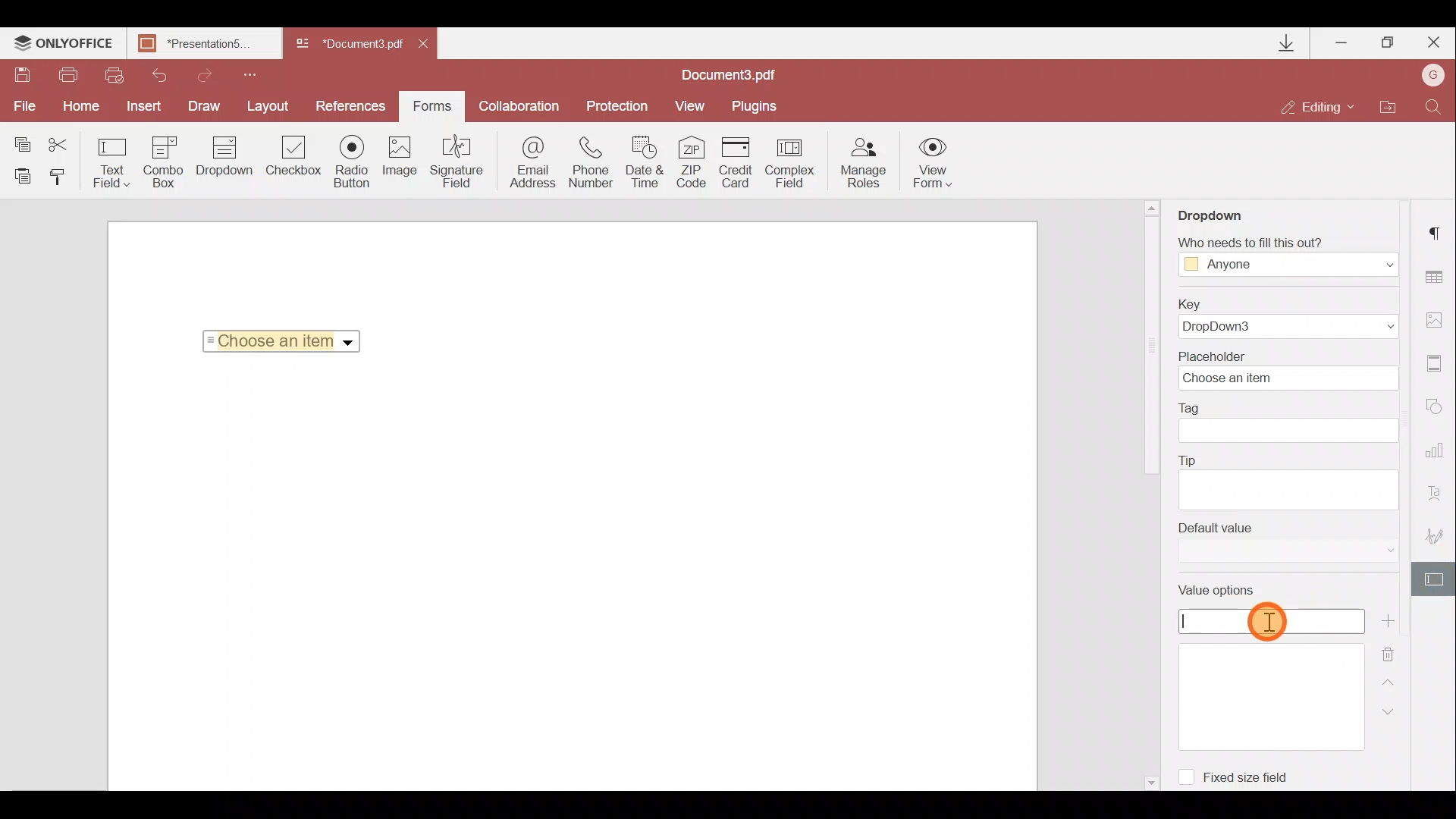 The width and height of the screenshot is (1456, 819). Describe the element at coordinates (791, 162) in the screenshot. I see `Complex field` at that location.